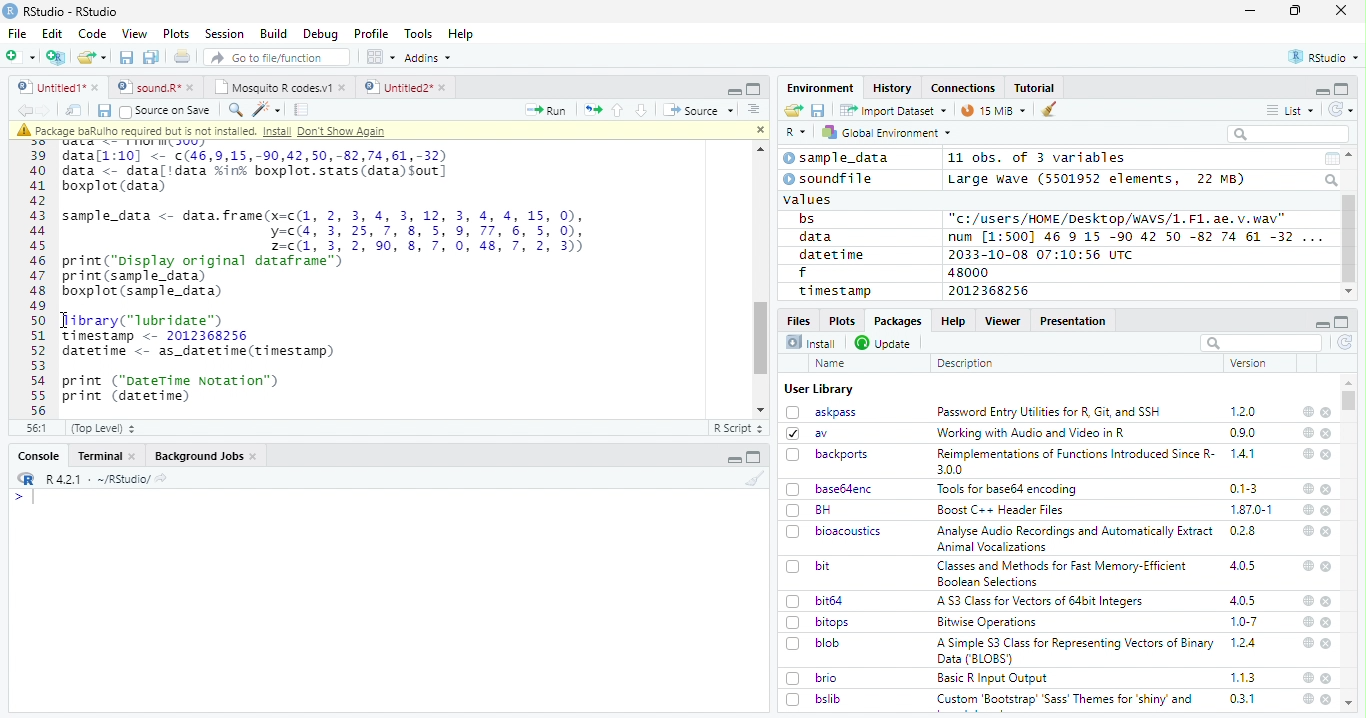 This screenshot has width=1366, height=718. I want to click on 48000, so click(966, 272).